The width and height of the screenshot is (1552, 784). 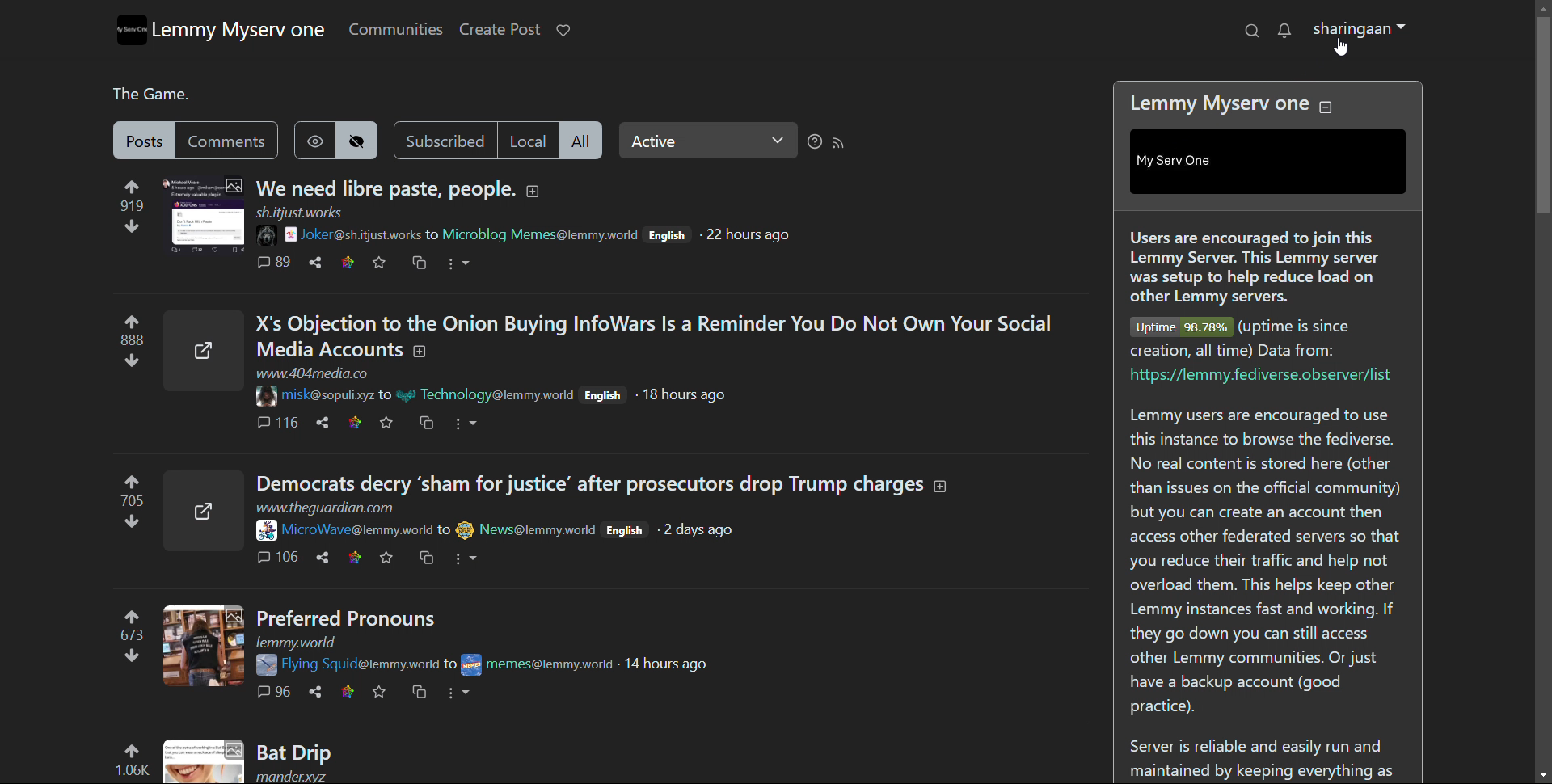 I want to click on 106 comments, so click(x=280, y=558).